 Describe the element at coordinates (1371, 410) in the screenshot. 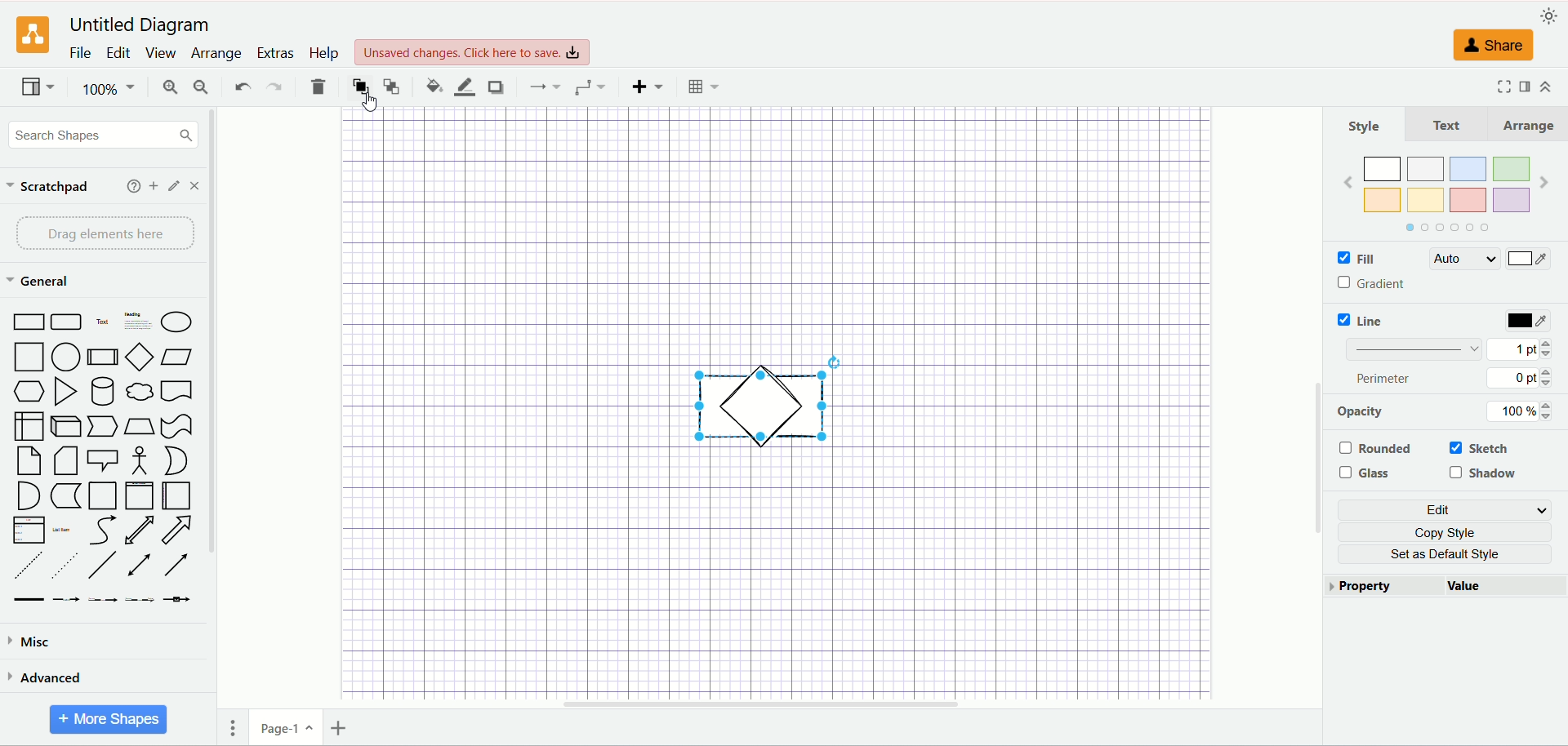

I see `opacity` at that location.